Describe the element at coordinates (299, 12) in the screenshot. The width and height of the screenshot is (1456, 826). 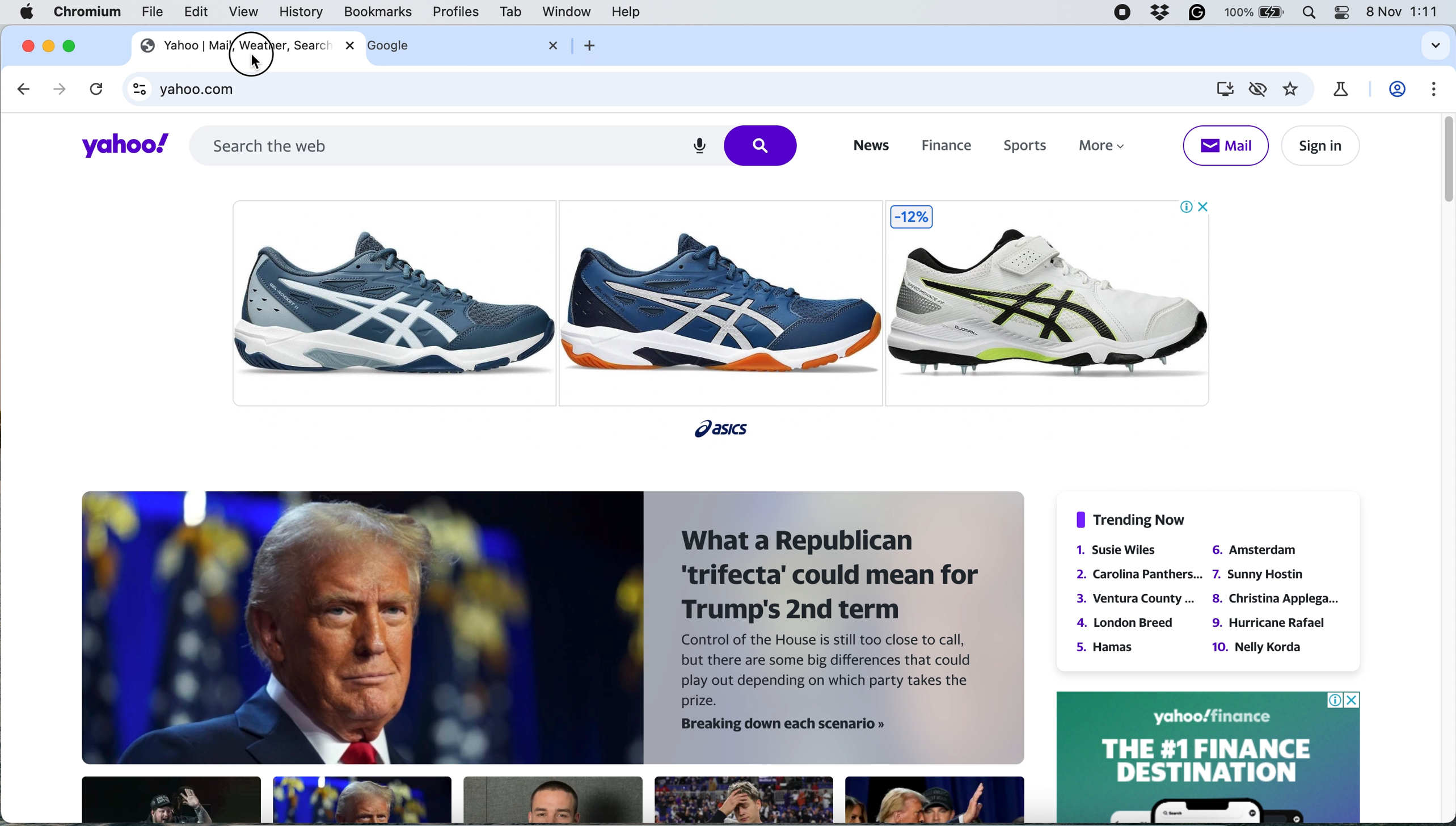
I see `history` at that location.